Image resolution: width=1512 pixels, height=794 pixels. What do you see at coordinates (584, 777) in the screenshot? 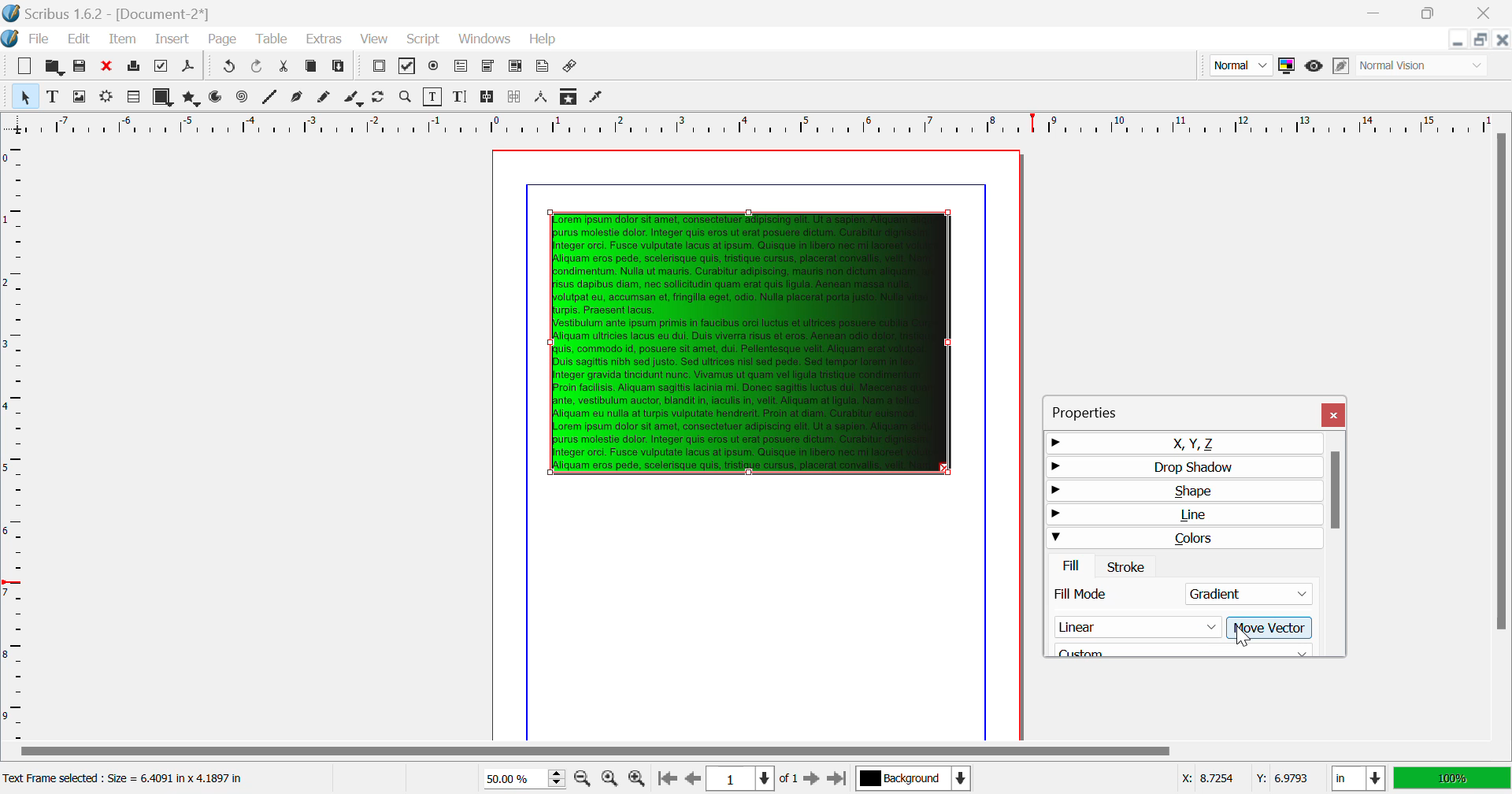
I see `Zoom Out` at bounding box center [584, 777].